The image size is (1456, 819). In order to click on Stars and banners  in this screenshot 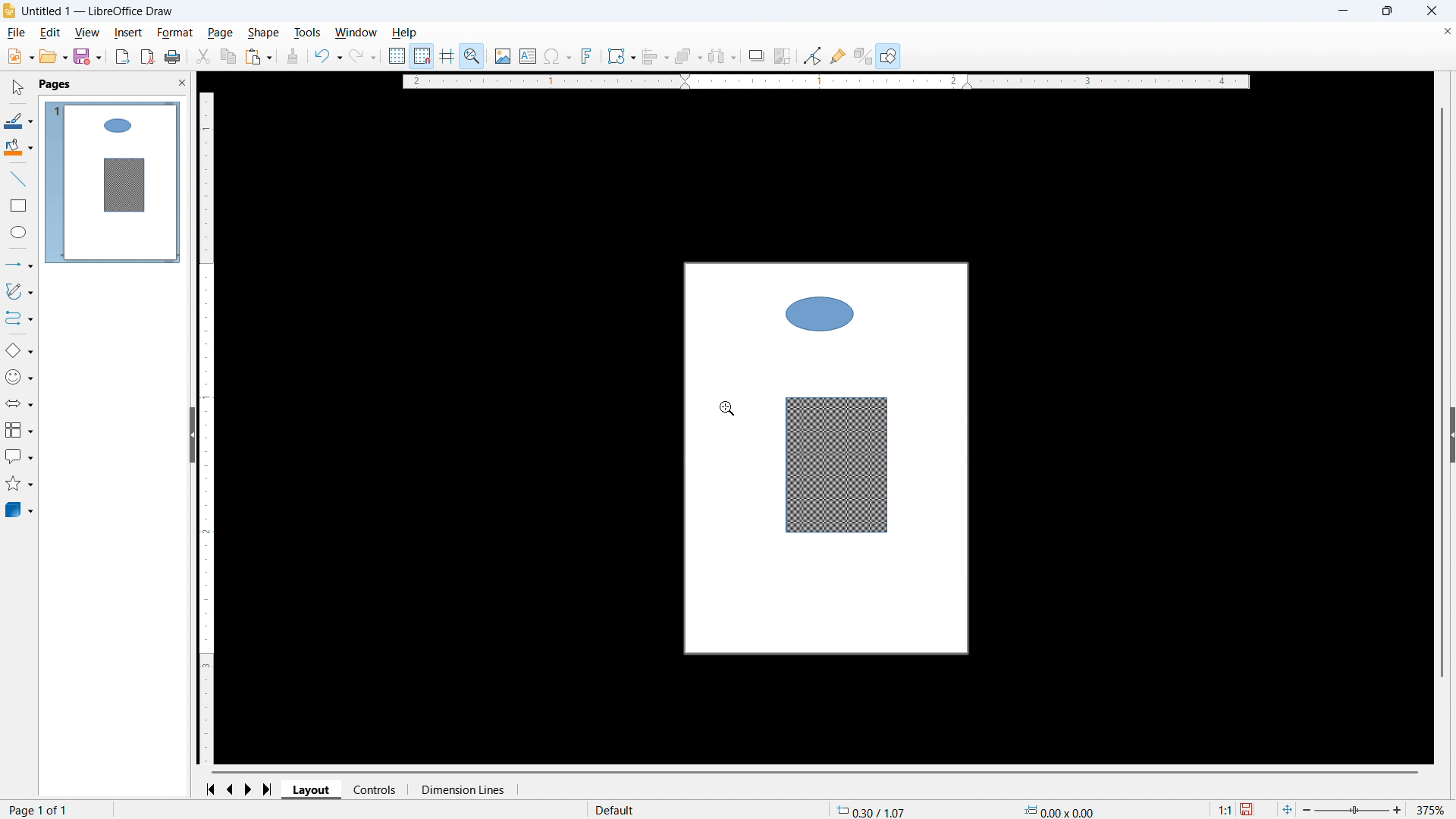, I will do `click(20, 484)`.